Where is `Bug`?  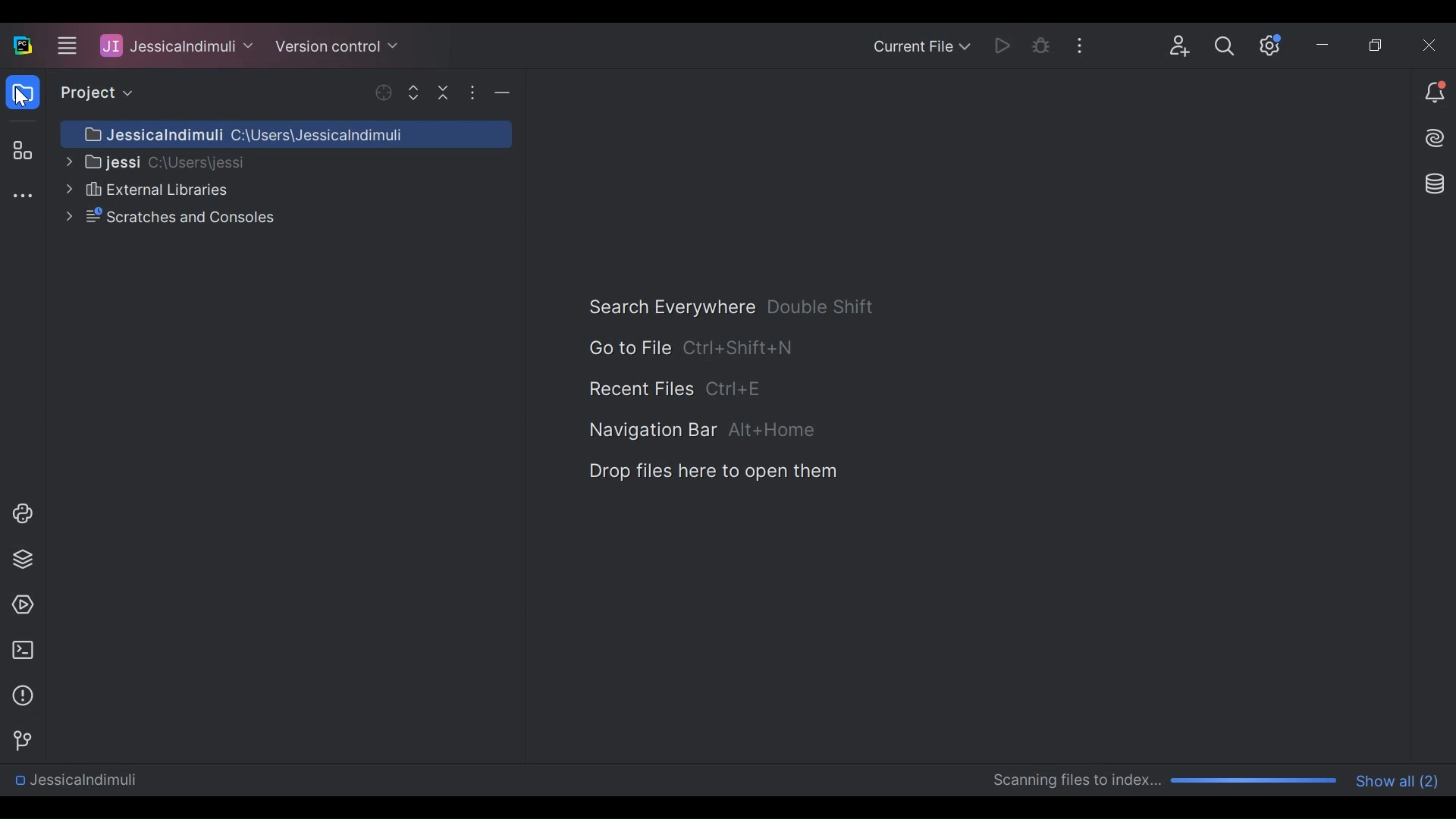 Bug is located at coordinates (1040, 45).